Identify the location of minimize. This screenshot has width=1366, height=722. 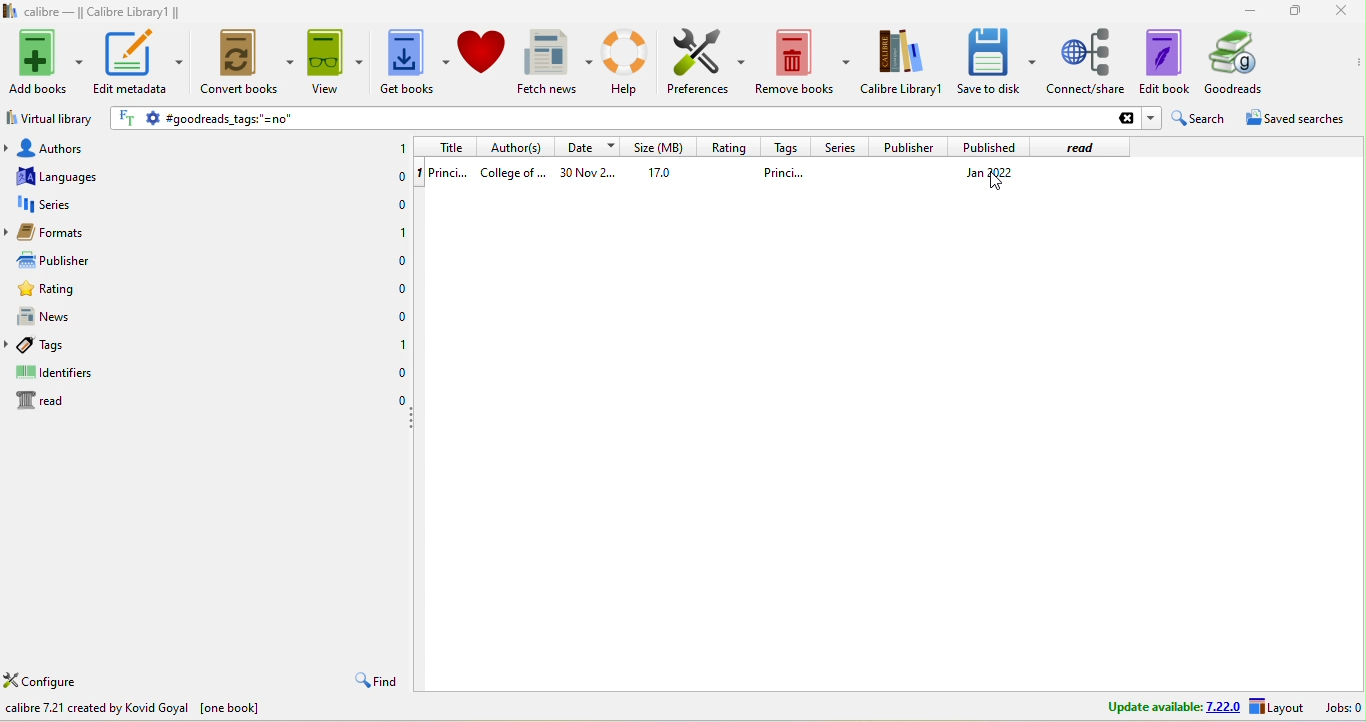
(1248, 11).